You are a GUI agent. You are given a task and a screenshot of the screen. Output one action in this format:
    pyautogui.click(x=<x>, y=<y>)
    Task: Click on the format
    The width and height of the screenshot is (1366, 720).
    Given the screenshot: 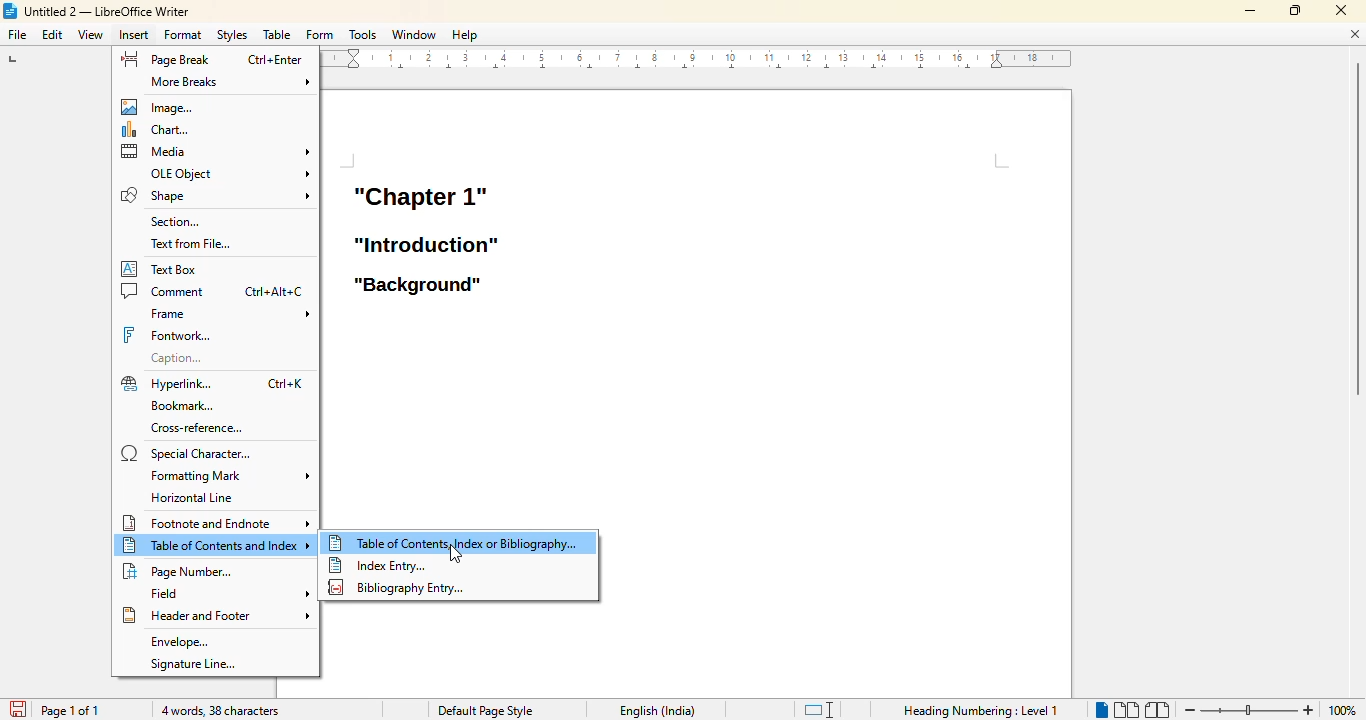 What is the action you would take?
    pyautogui.click(x=182, y=34)
    